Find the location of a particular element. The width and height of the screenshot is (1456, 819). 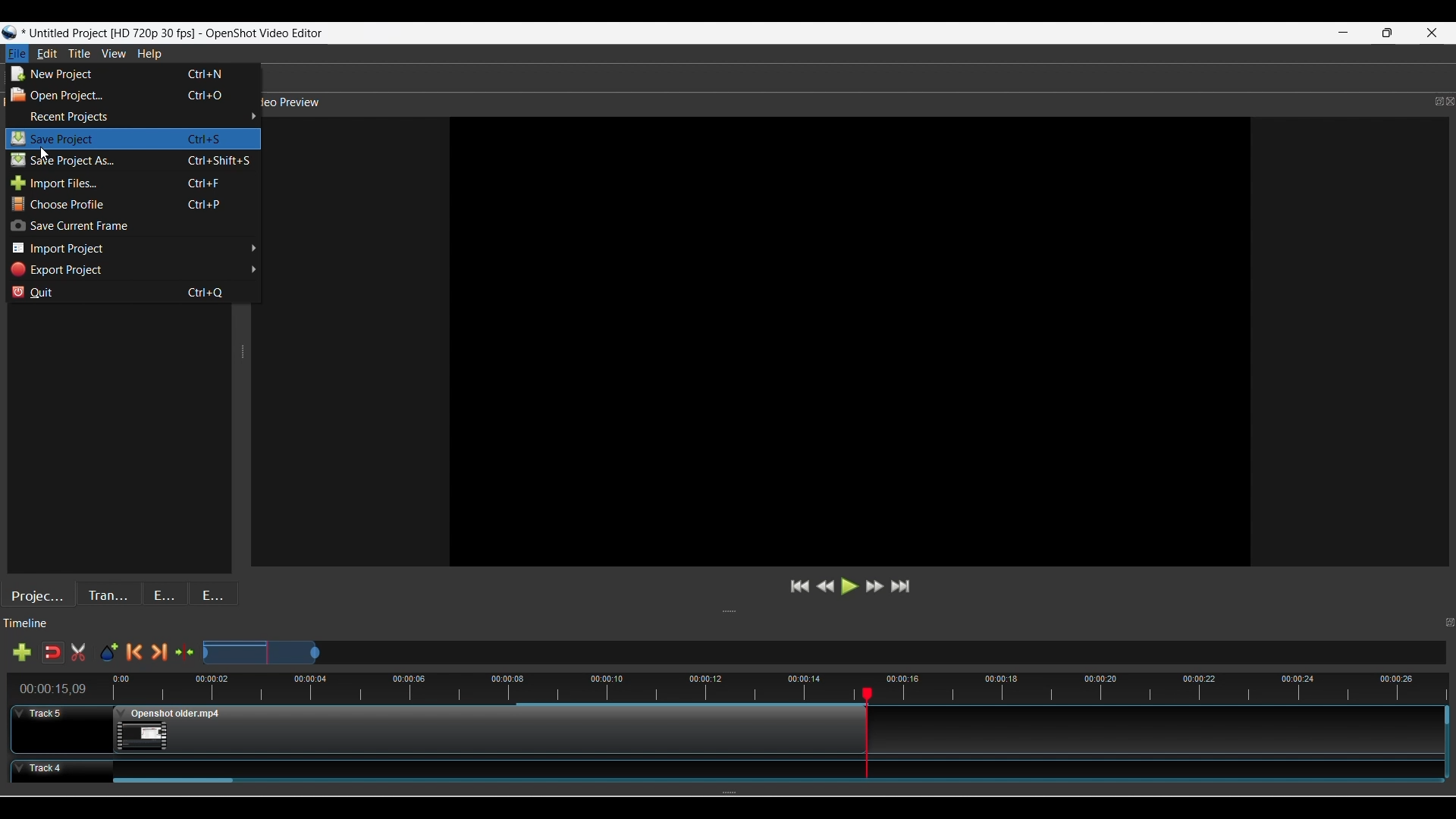

Previous marker is located at coordinates (133, 652).